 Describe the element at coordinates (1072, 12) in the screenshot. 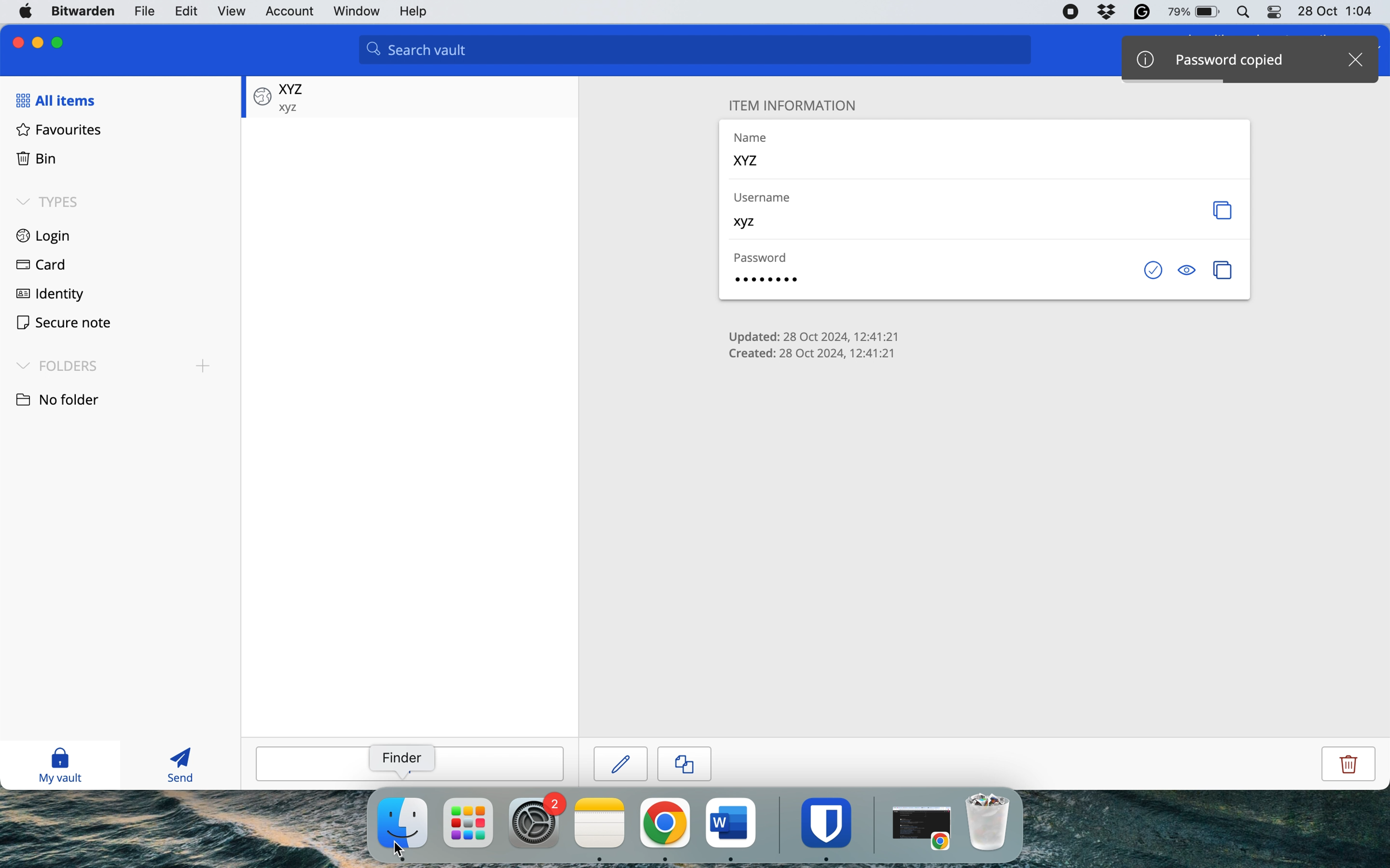

I see `screen recorder` at that location.